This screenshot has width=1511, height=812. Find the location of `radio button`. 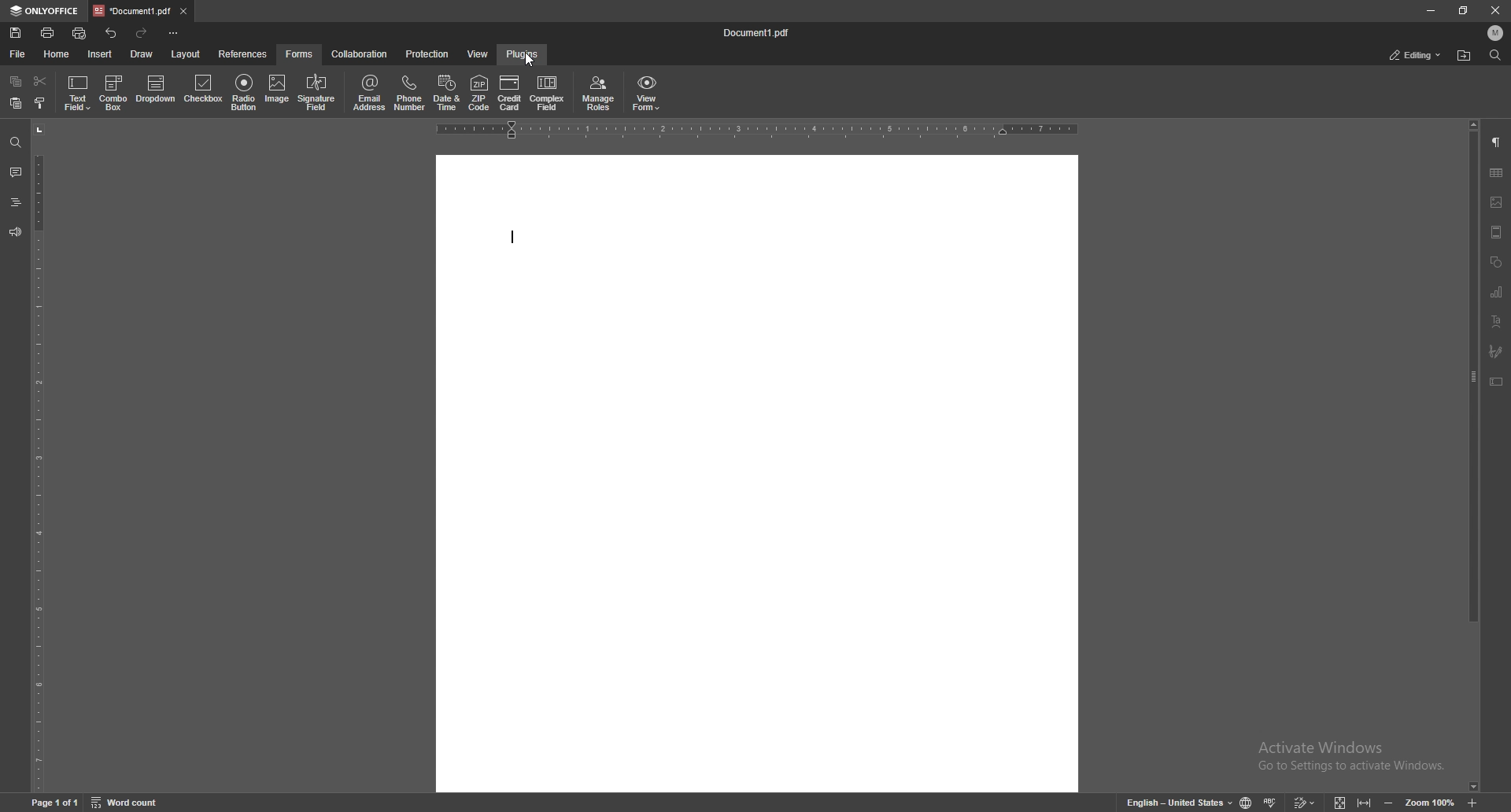

radio button is located at coordinates (246, 94).